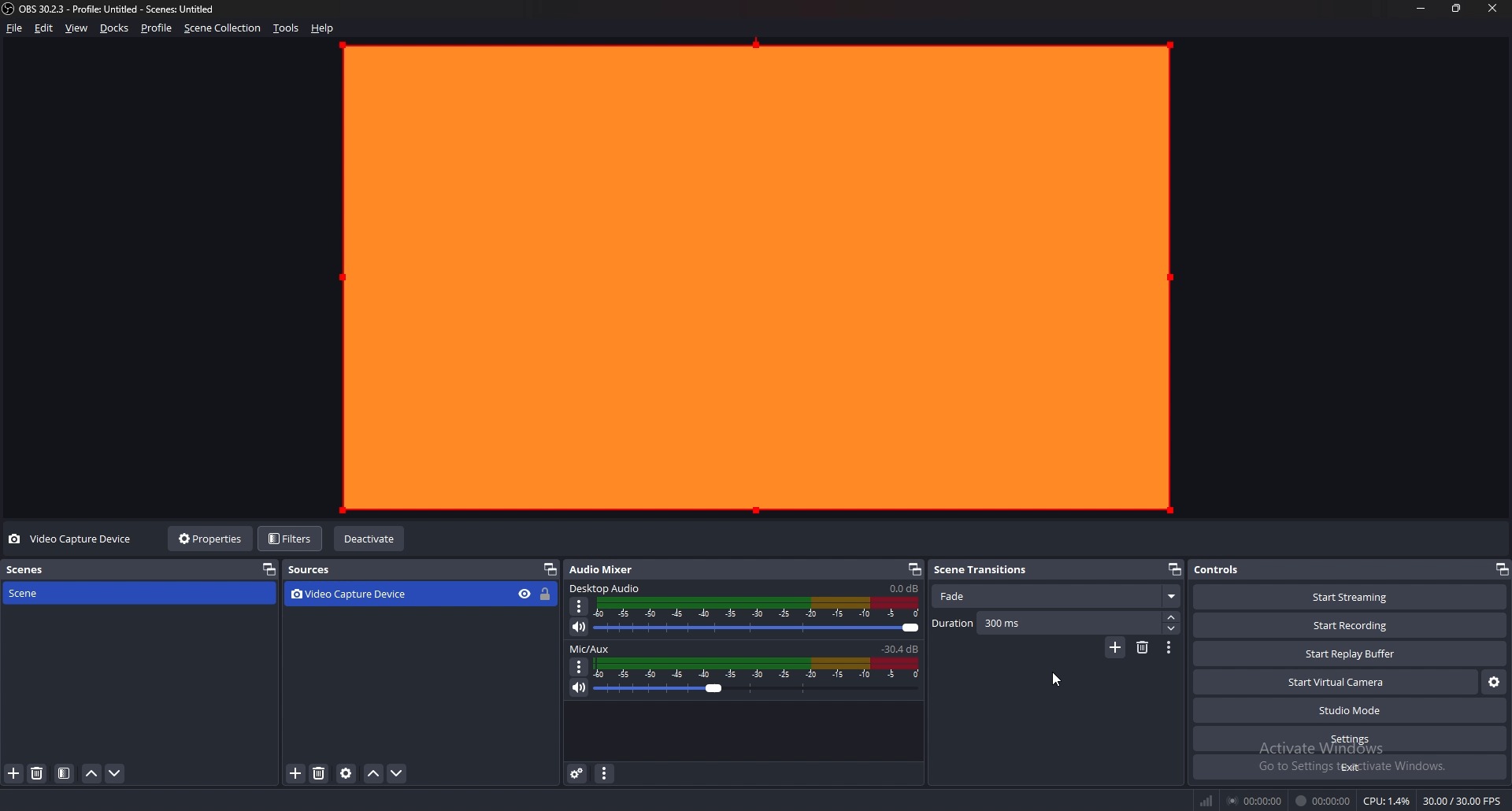  What do you see at coordinates (578, 628) in the screenshot?
I see `mute` at bounding box center [578, 628].